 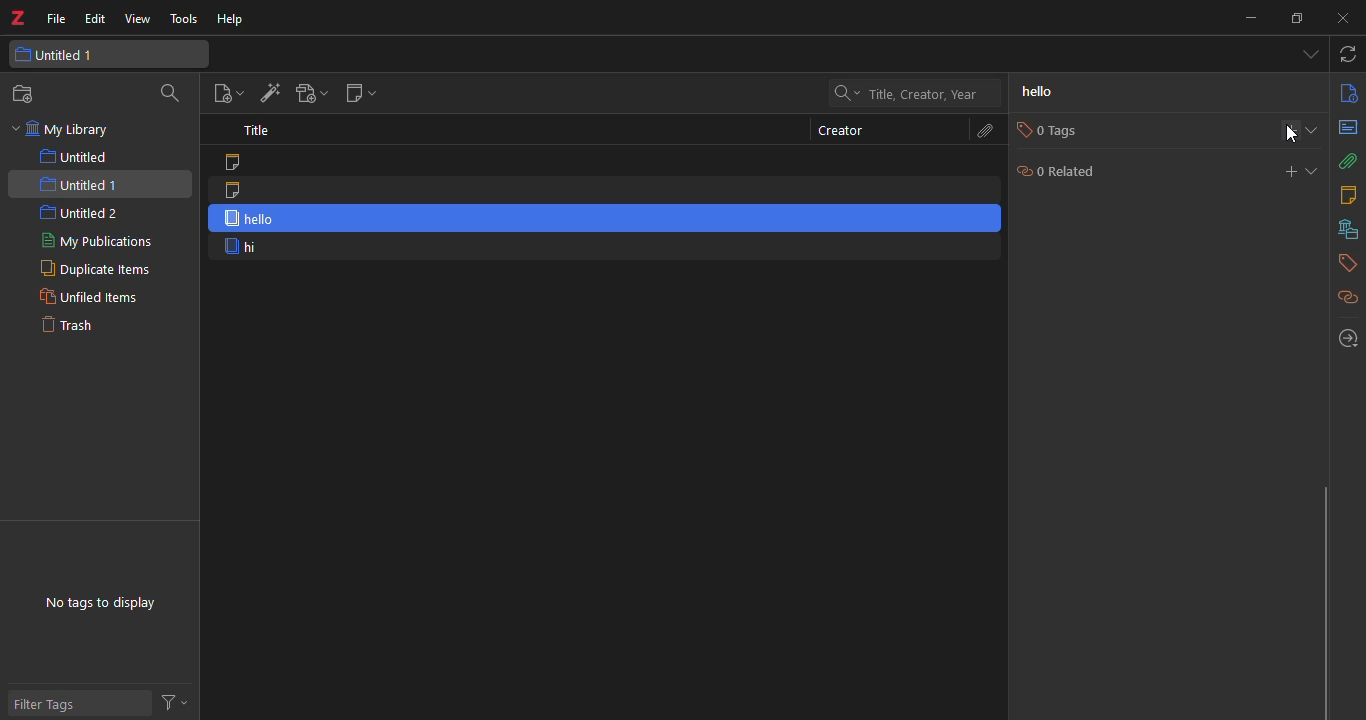 What do you see at coordinates (1314, 170) in the screenshot?
I see `expand` at bounding box center [1314, 170].